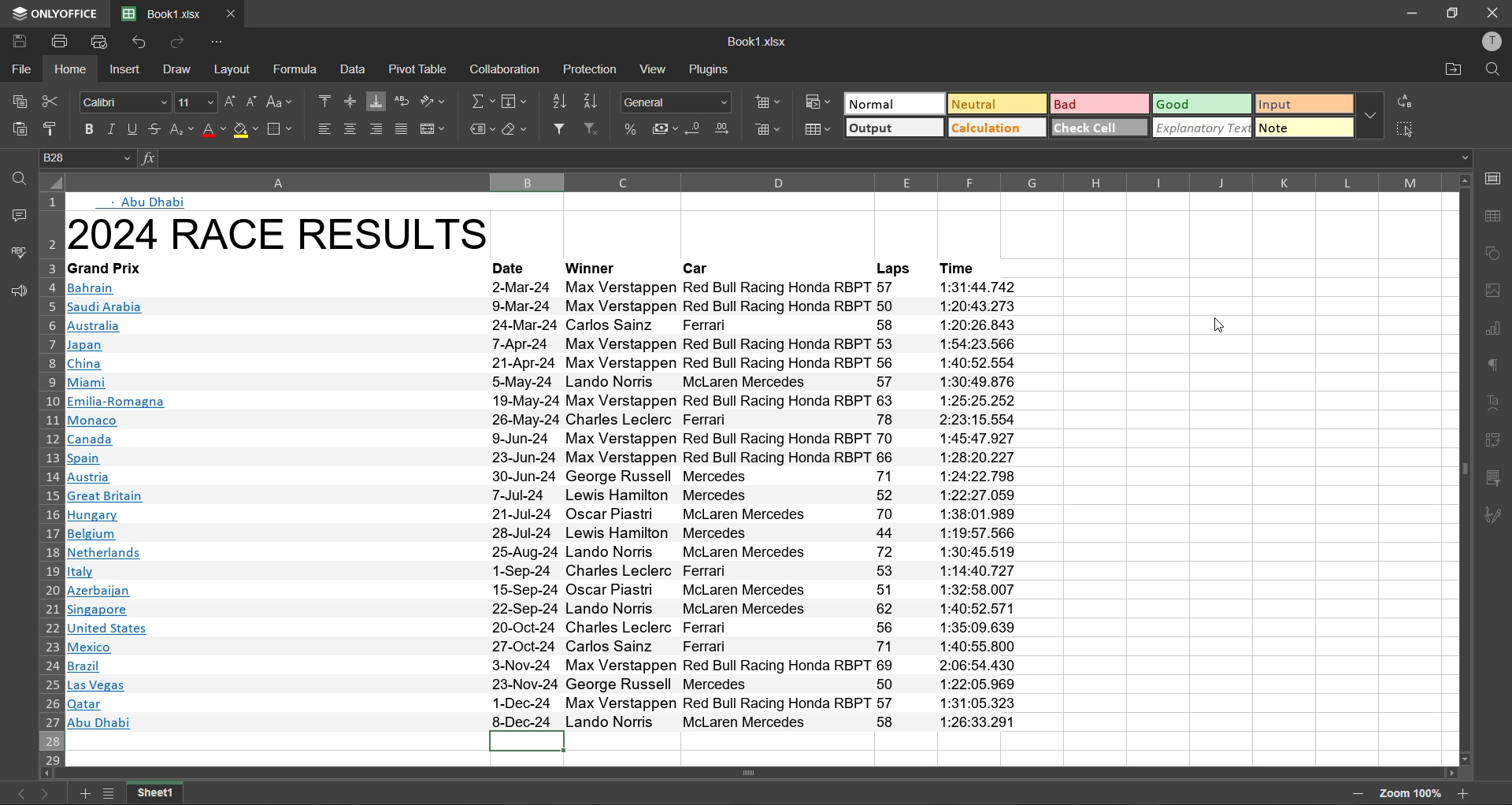 The image size is (1512, 805). I want to click on protection, so click(594, 69).